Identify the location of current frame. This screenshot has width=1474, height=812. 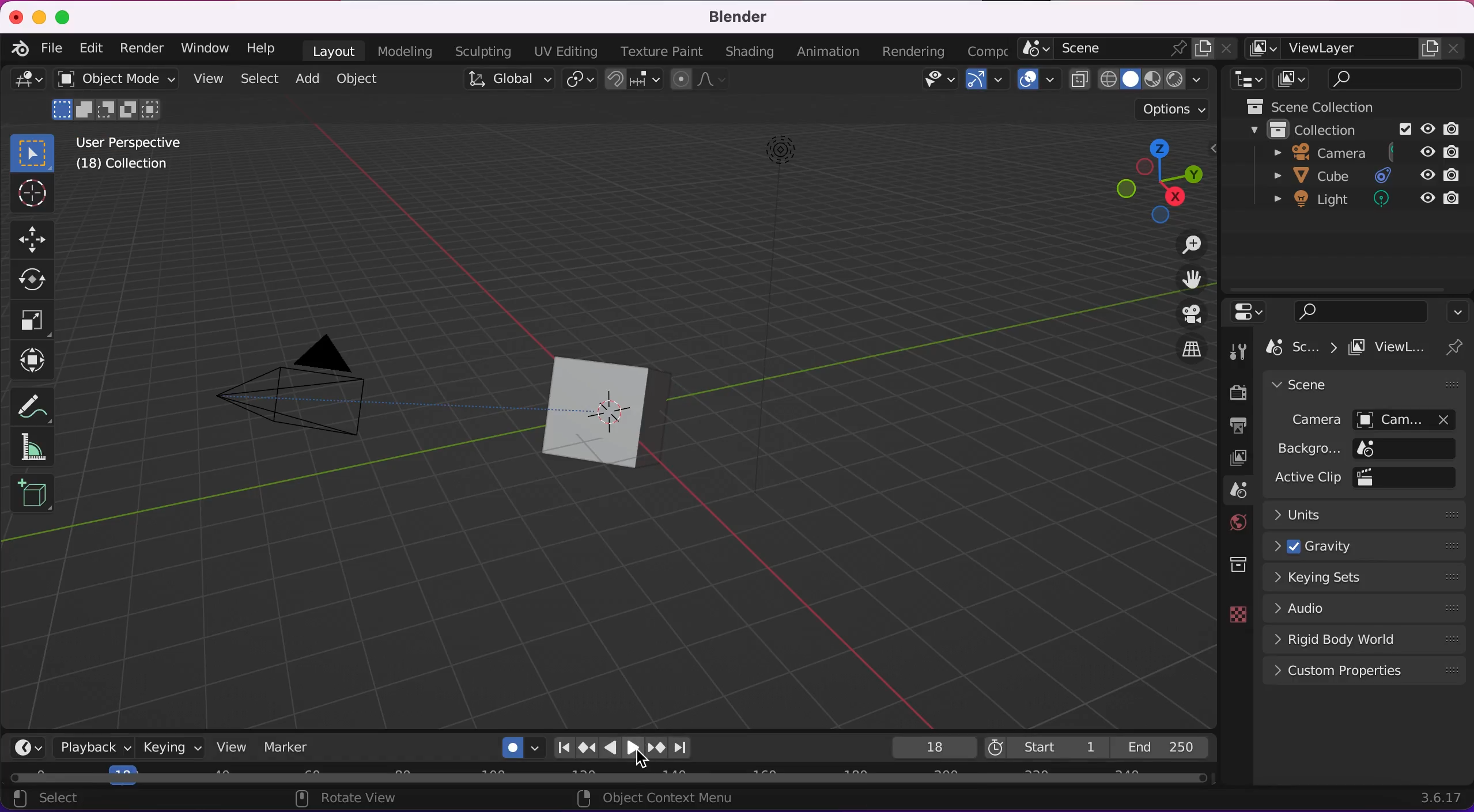
(933, 746).